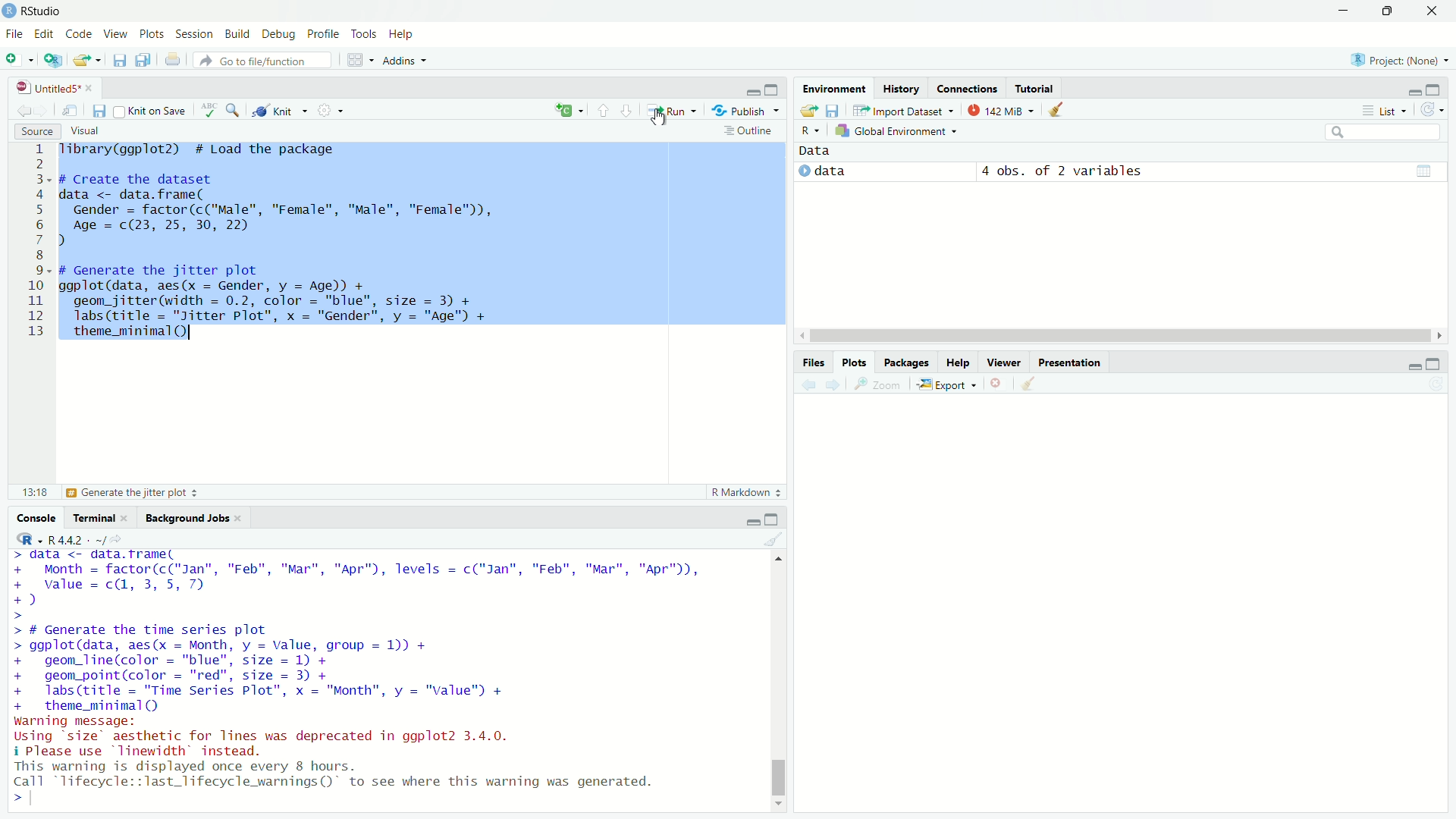 The image size is (1456, 819). I want to click on close, so click(94, 89).